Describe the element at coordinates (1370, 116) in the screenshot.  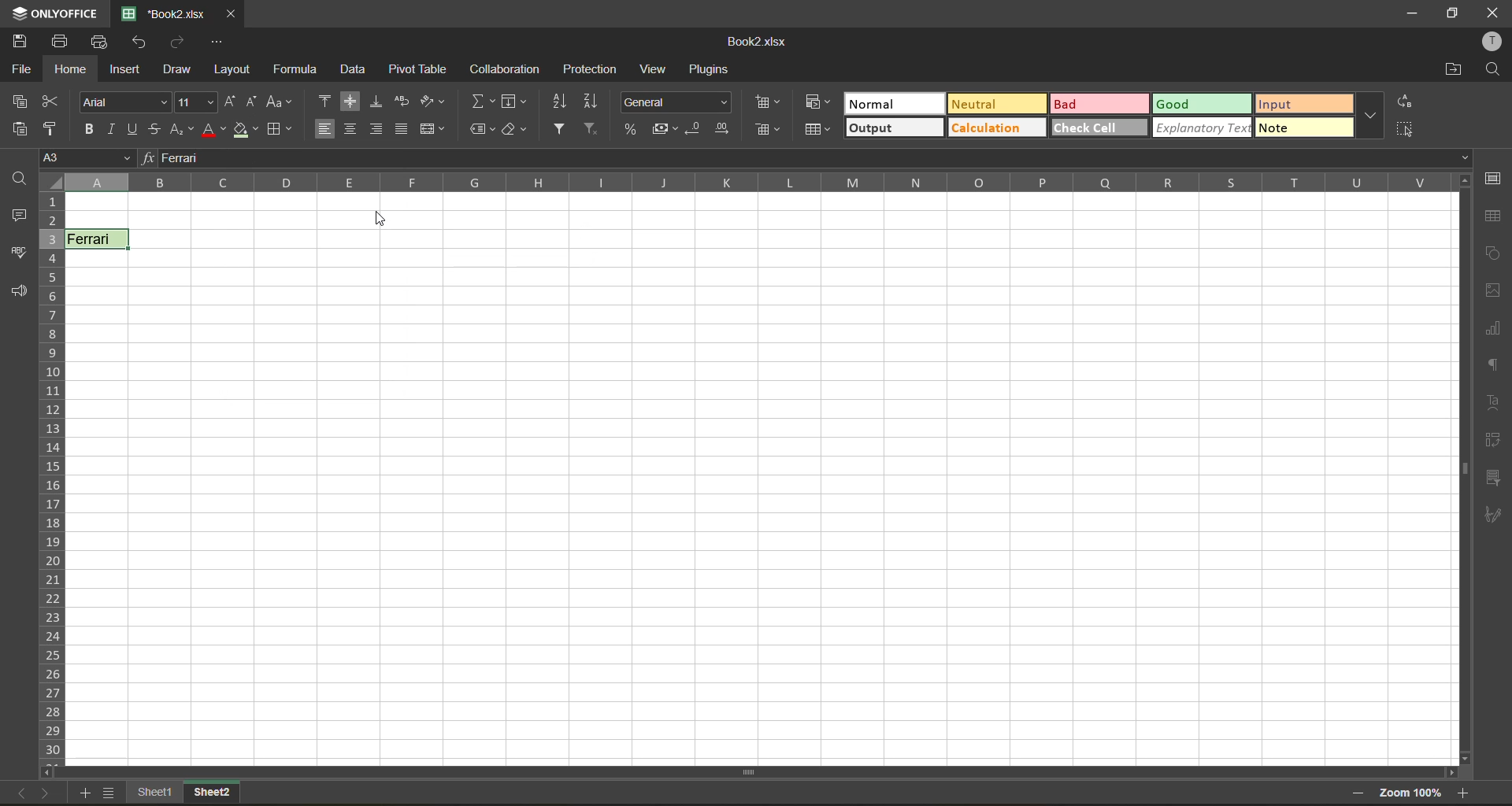
I see `more options` at that location.